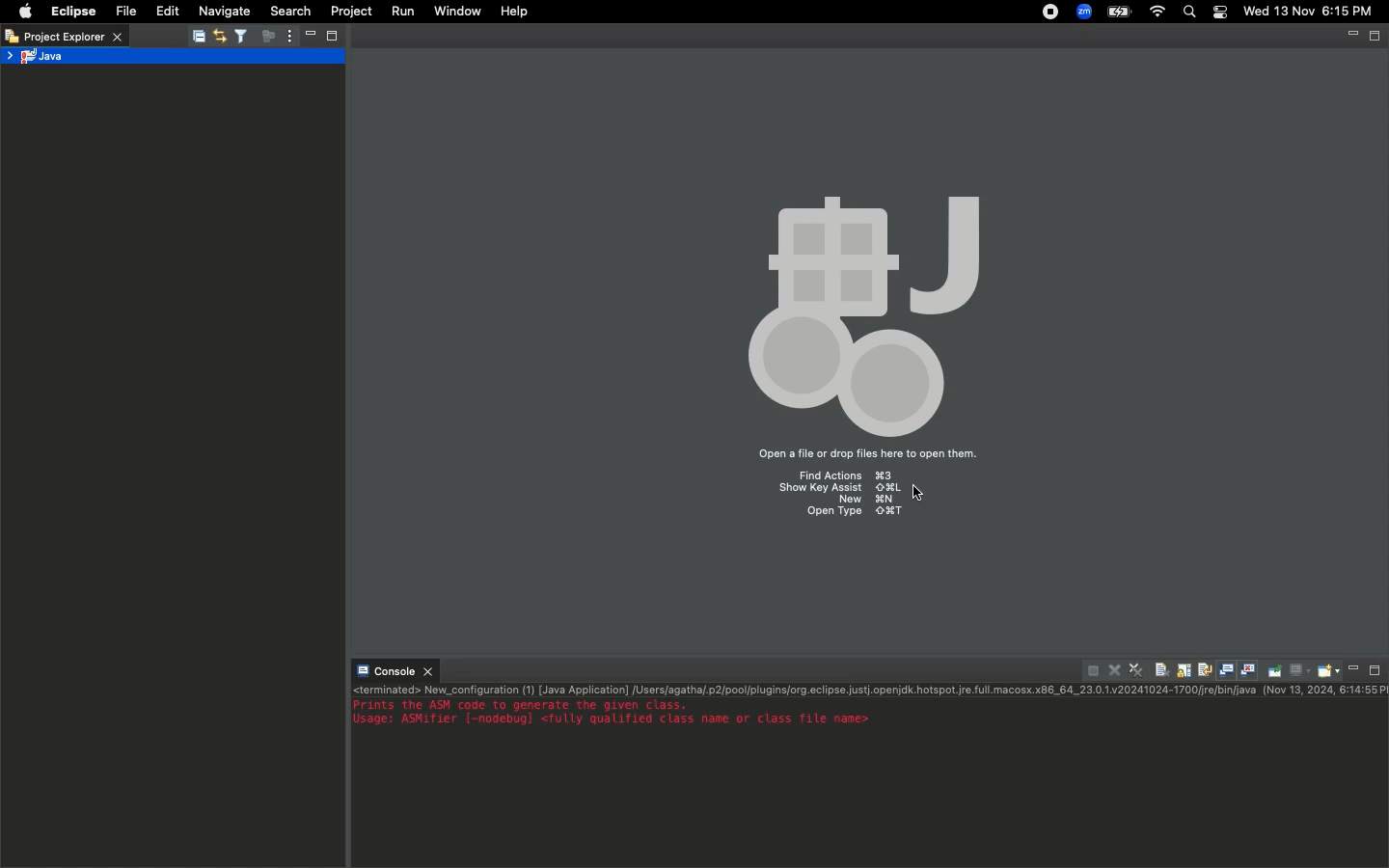  I want to click on Open a file or drop files here, so click(862, 454).